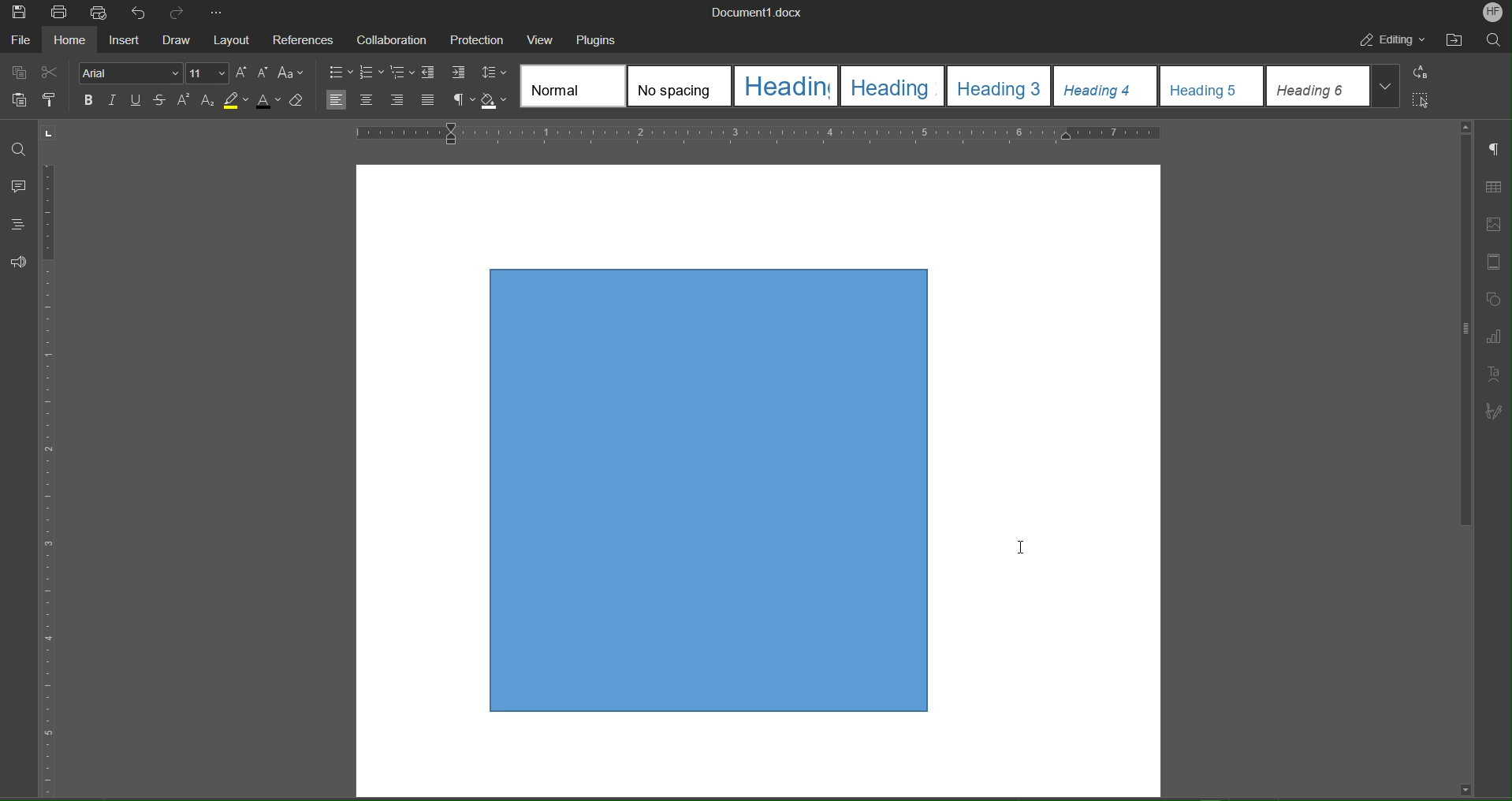 The height and width of the screenshot is (801, 1512). I want to click on Paragraph Settings, so click(1495, 149).